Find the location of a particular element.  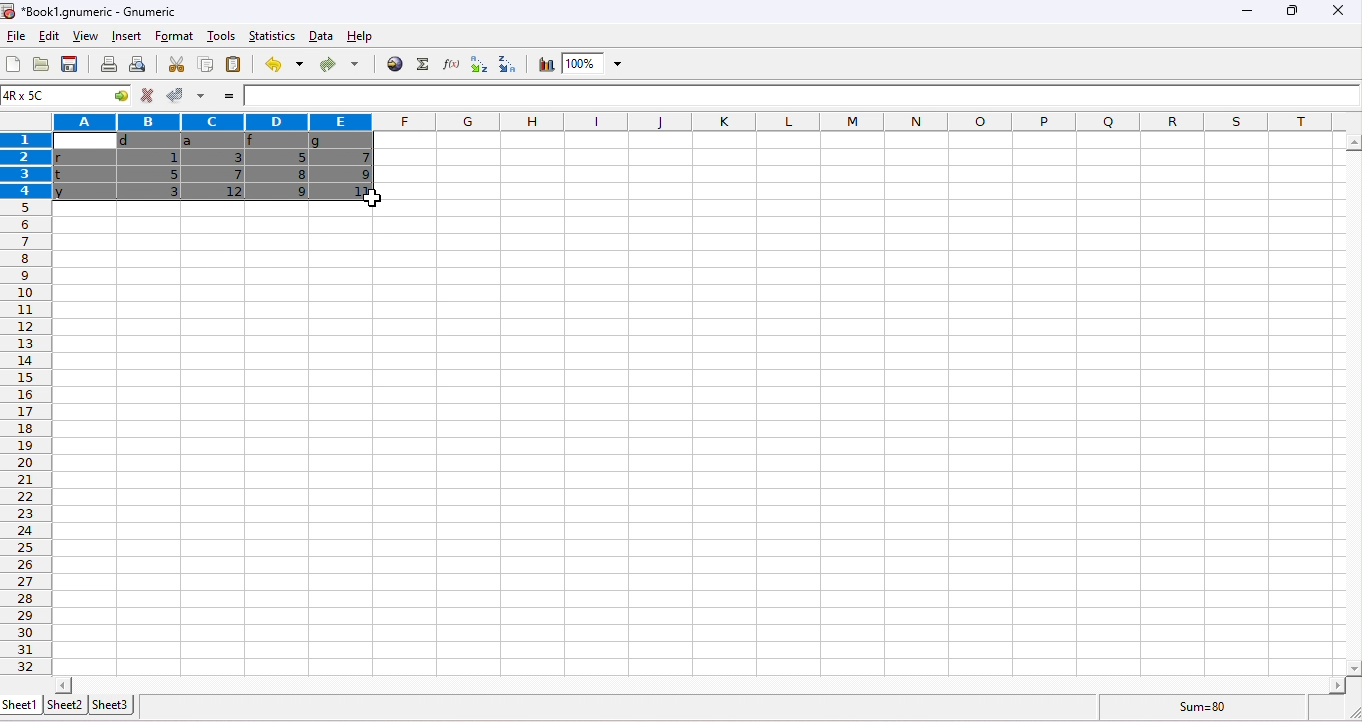

zoom is located at coordinates (592, 63).